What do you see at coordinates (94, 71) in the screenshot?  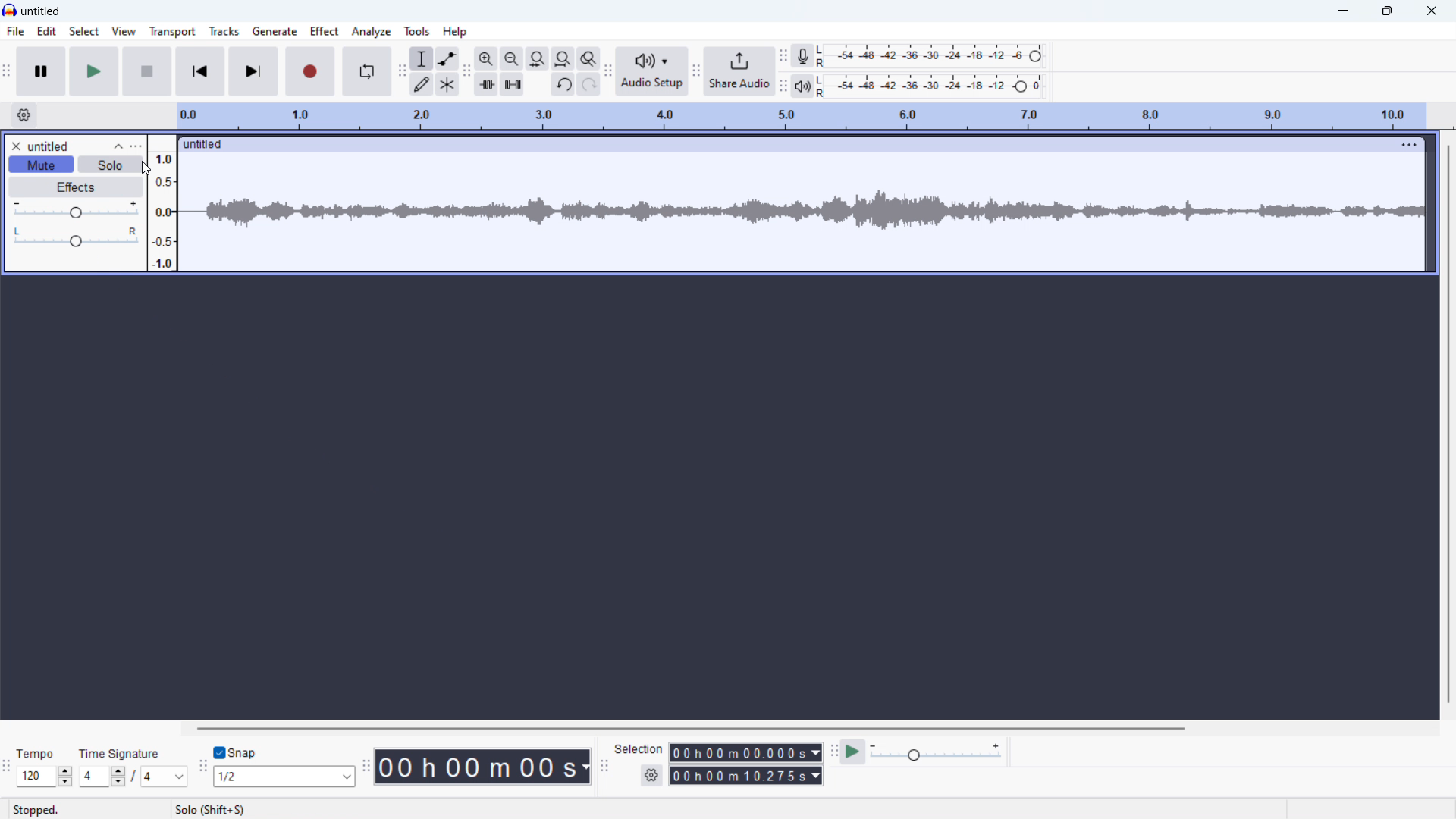 I see `play` at bounding box center [94, 71].